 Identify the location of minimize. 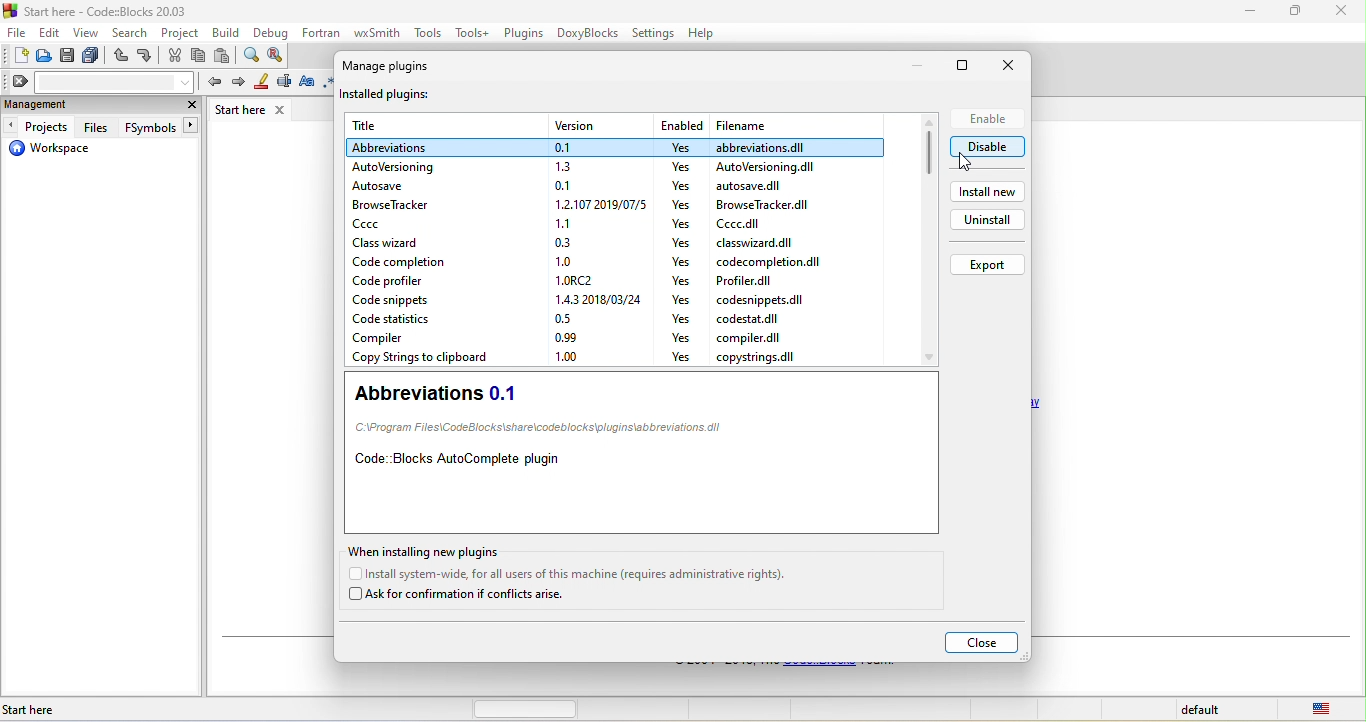
(1295, 14).